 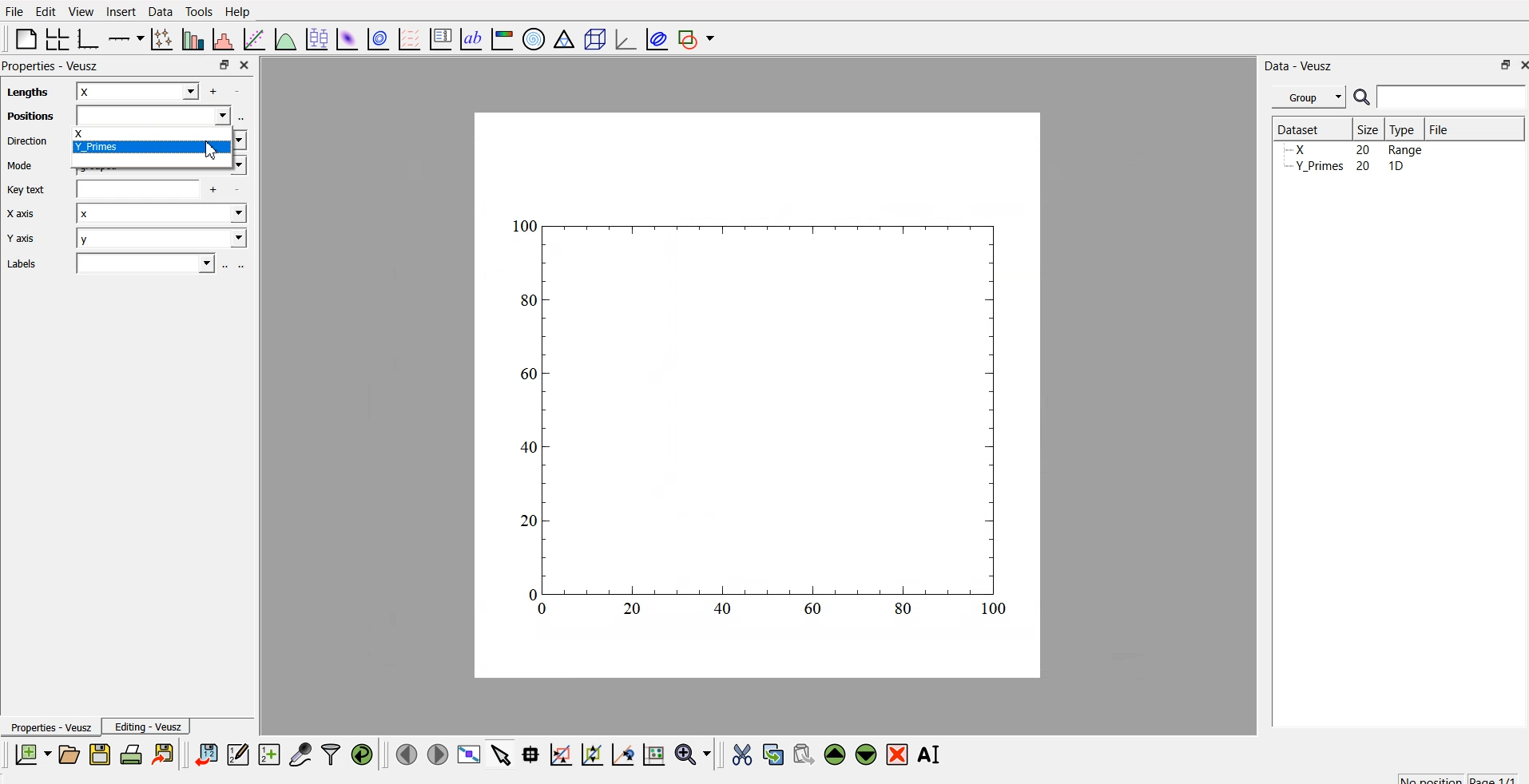 I want to click on new document, so click(x=30, y=754).